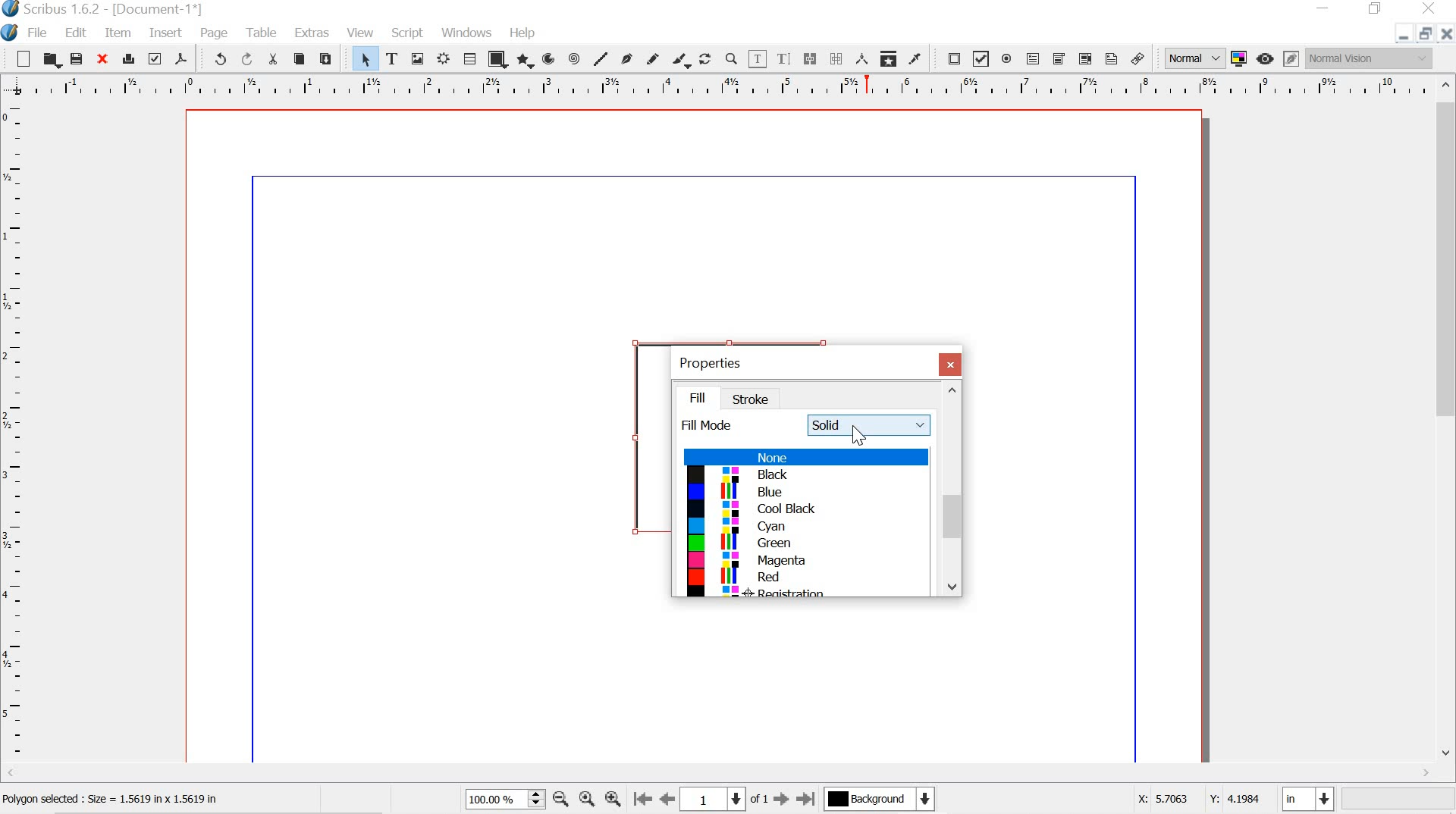 Image resolution: width=1456 pixels, height=814 pixels. Describe the element at coordinates (1138, 56) in the screenshot. I see `link annotation` at that location.